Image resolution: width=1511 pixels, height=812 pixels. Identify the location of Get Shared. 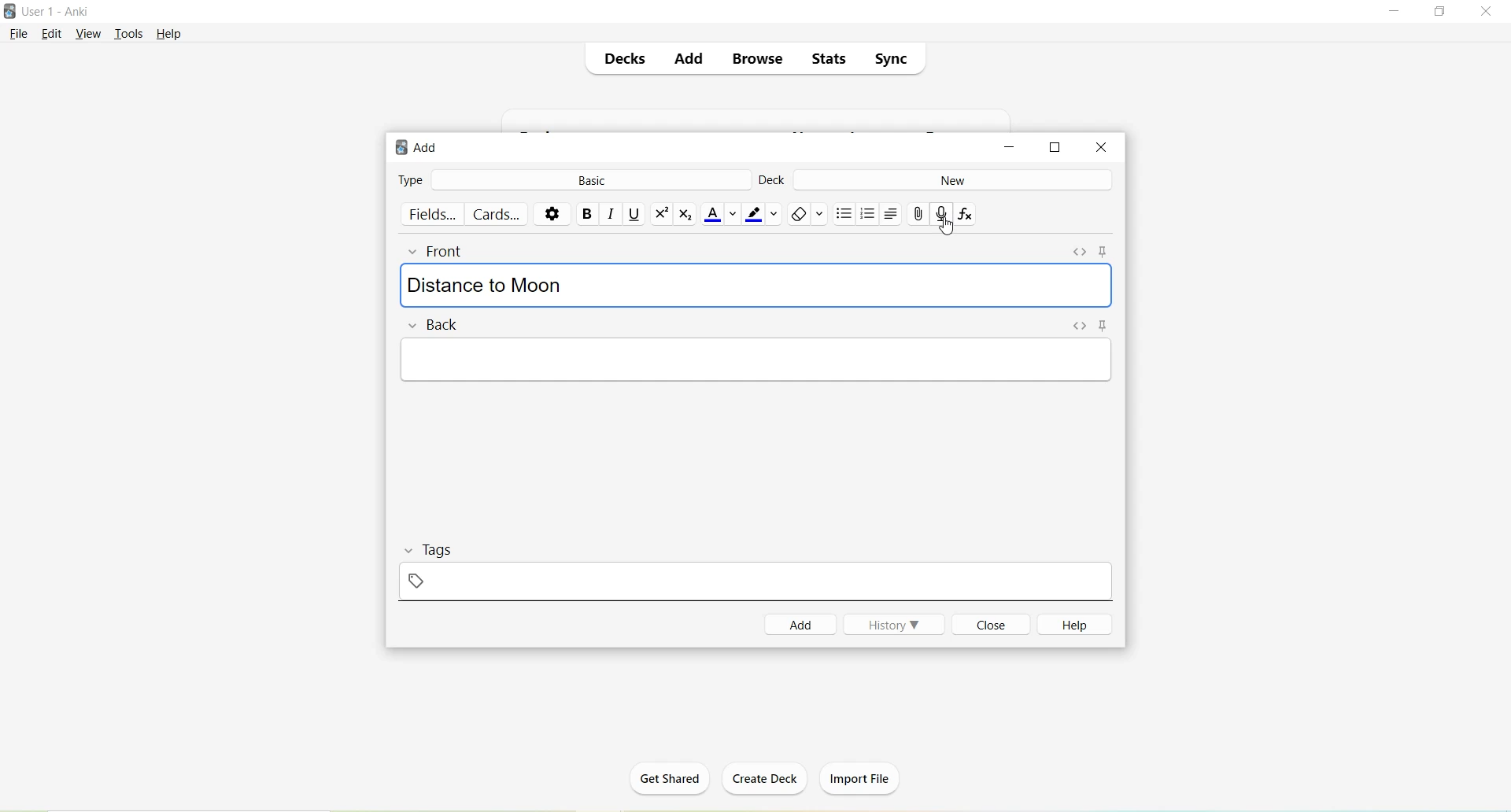
(670, 784).